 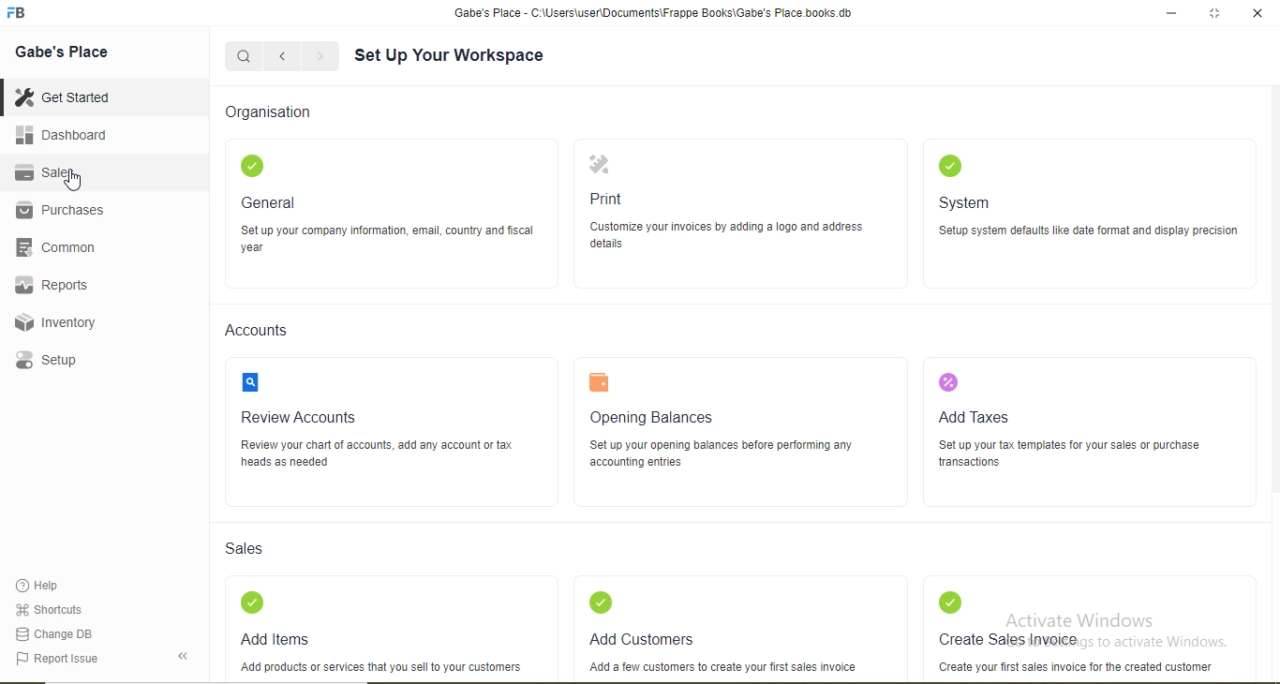 What do you see at coordinates (246, 58) in the screenshot?
I see `search` at bounding box center [246, 58].